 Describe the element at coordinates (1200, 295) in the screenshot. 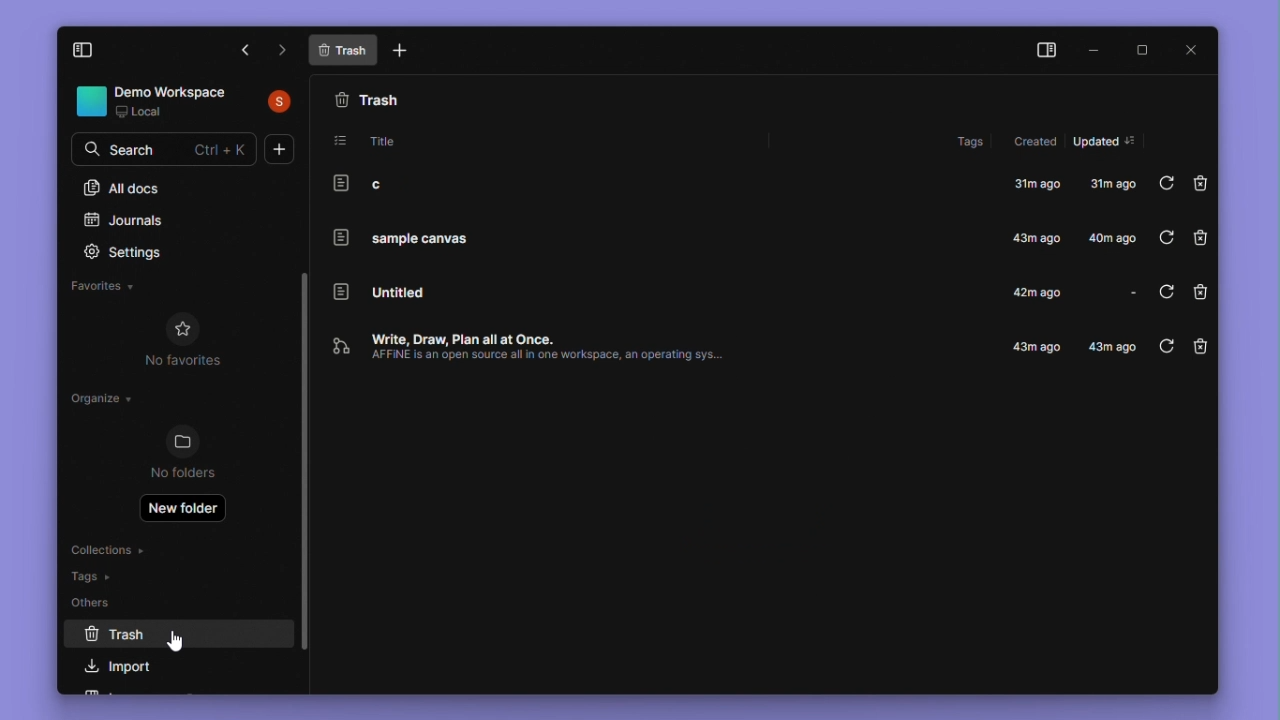

I see `delete forever` at that location.